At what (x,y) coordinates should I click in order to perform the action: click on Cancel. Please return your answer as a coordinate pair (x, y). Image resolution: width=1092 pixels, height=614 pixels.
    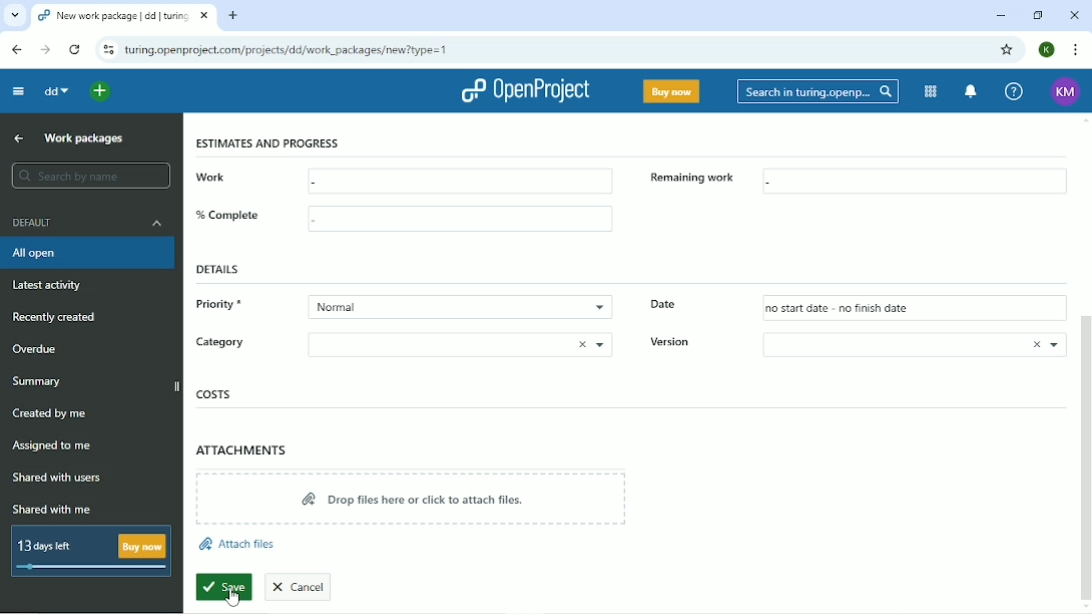
    Looking at the image, I should click on (299, 587).